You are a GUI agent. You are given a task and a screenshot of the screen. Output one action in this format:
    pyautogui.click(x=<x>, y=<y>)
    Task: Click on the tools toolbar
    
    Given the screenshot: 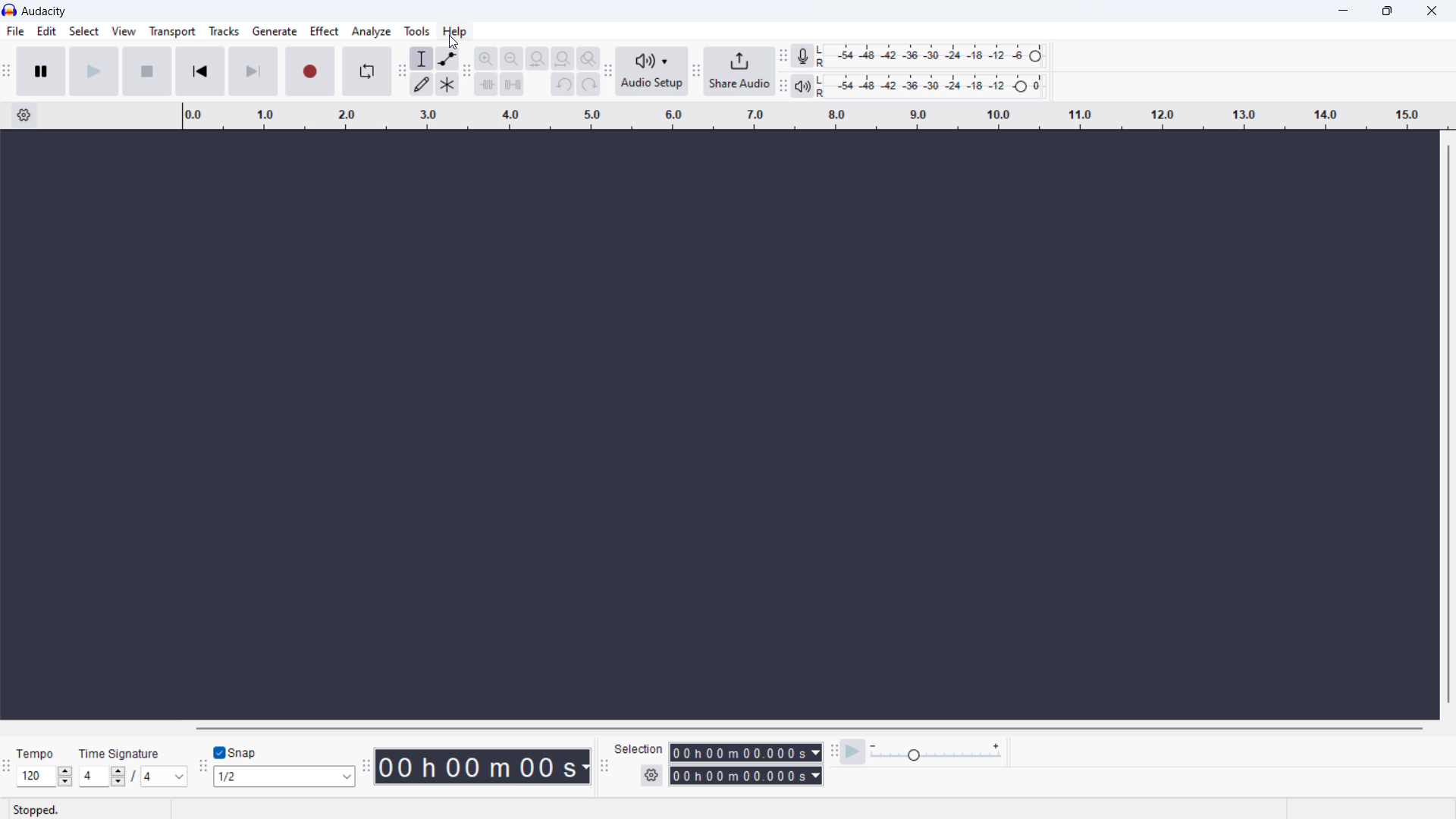 What is the action you would take?
    pyautogui.click(x=403, y=71)
    